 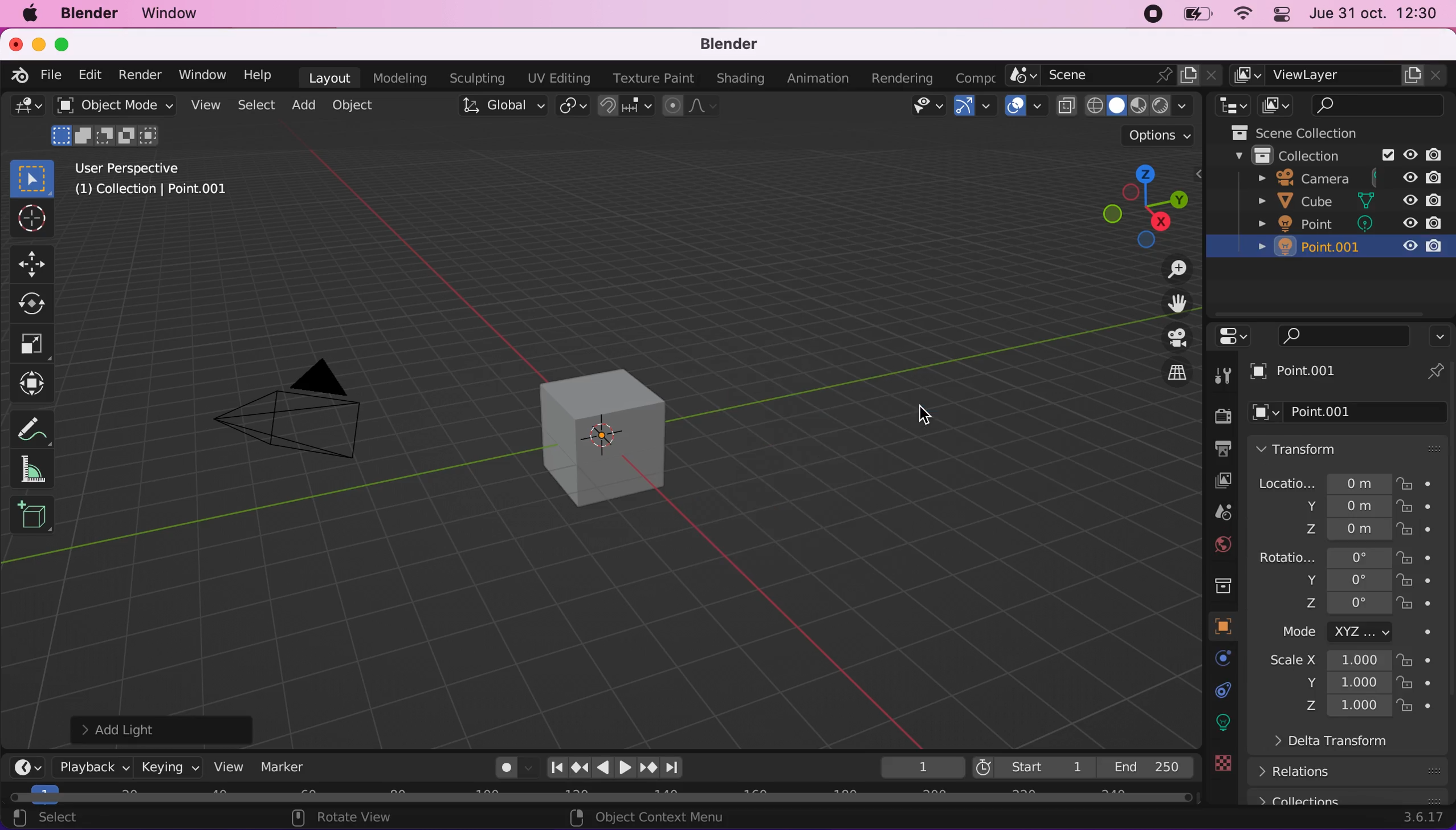 What do you see at coordinates (1353, 769) in the screenshot?
I see `relations` at bounding box center [1353, 769].